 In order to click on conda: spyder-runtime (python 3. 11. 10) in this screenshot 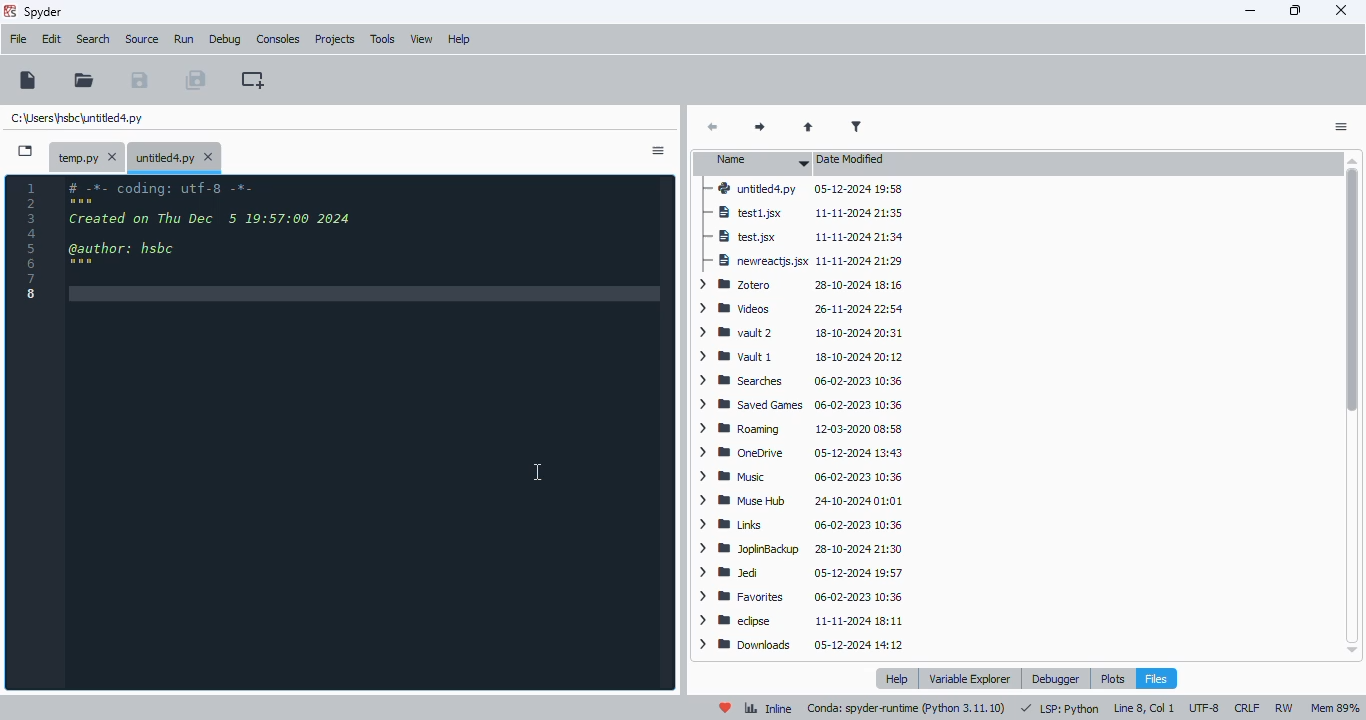, I will do `click(907, 709)`.